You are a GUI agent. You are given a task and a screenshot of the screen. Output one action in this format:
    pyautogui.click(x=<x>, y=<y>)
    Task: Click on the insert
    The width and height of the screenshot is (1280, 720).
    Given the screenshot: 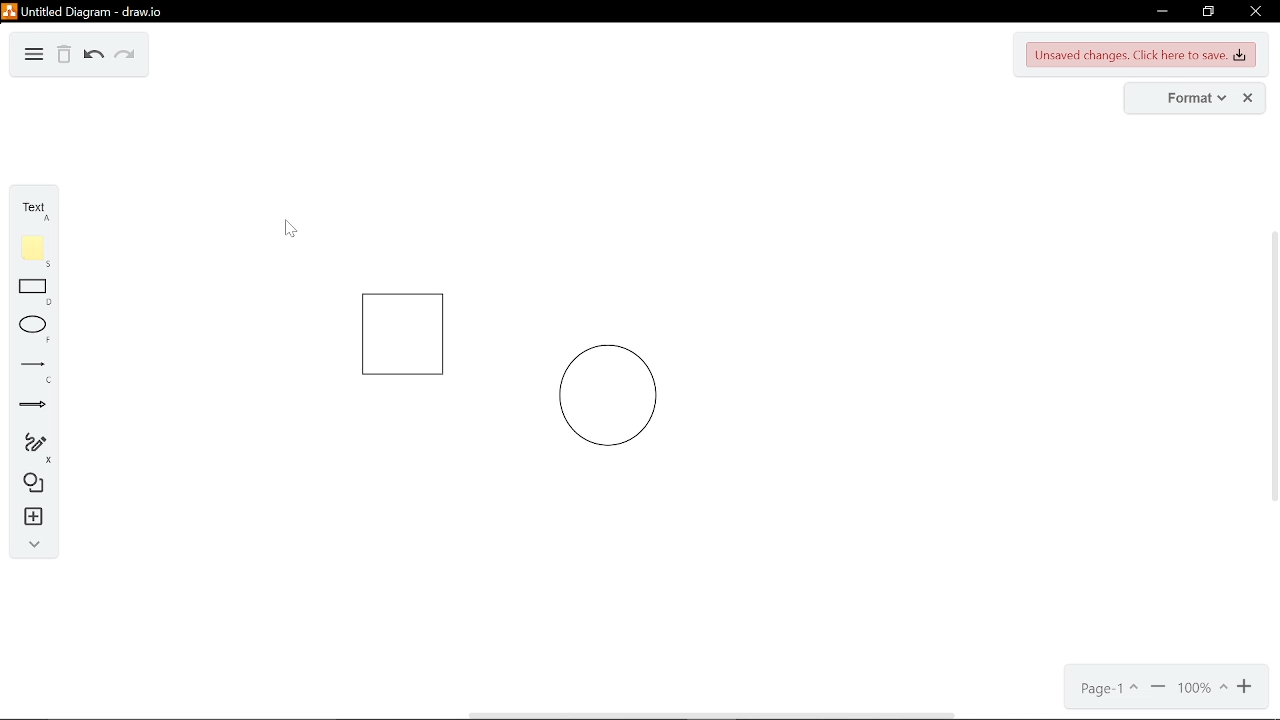 What is the action you would take?
    pyautogui.click(x=28, y=518)
    